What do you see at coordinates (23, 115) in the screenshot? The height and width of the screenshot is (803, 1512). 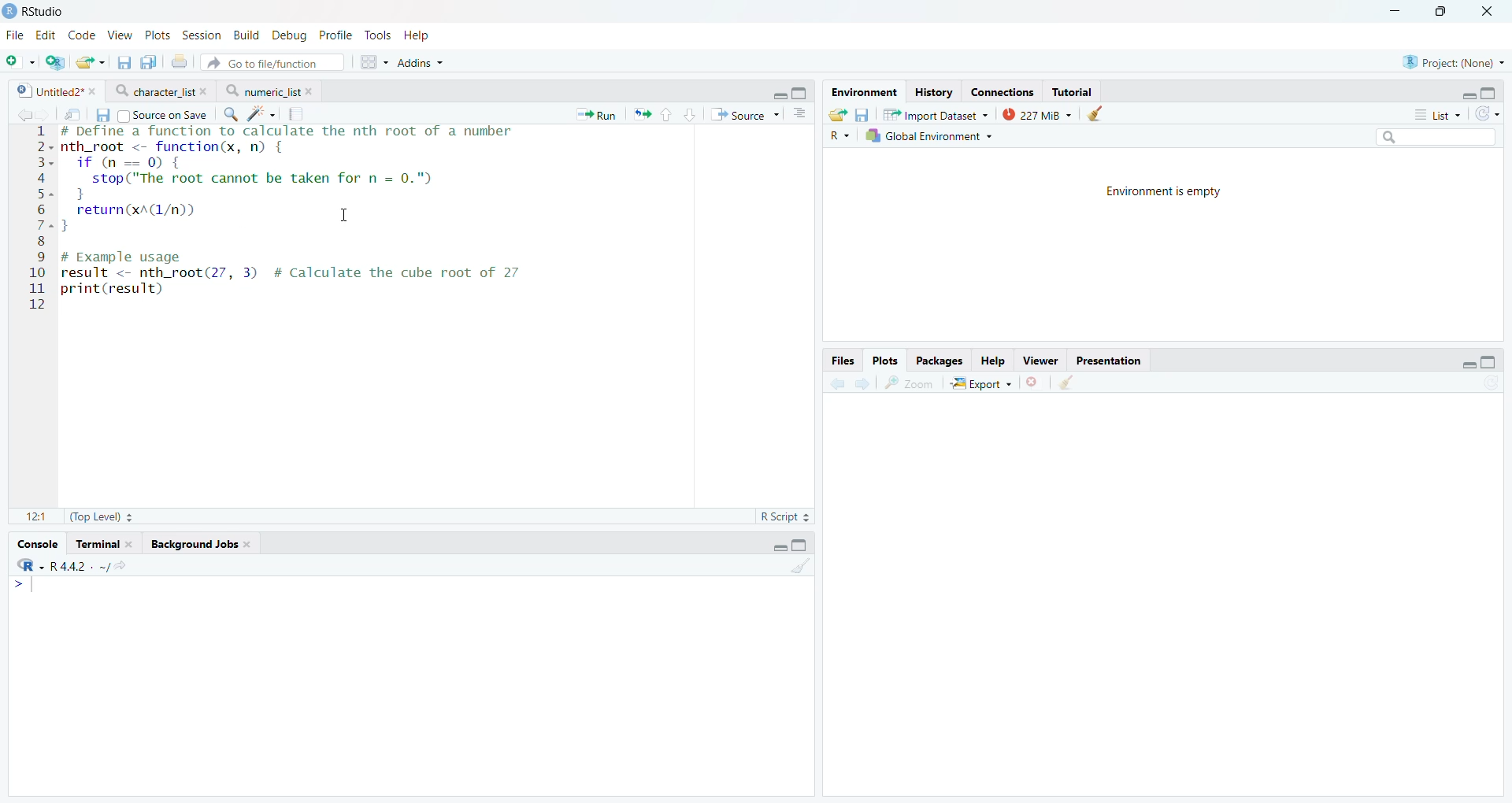 I see `Go to previous source location` at bounding box center [23, 115].